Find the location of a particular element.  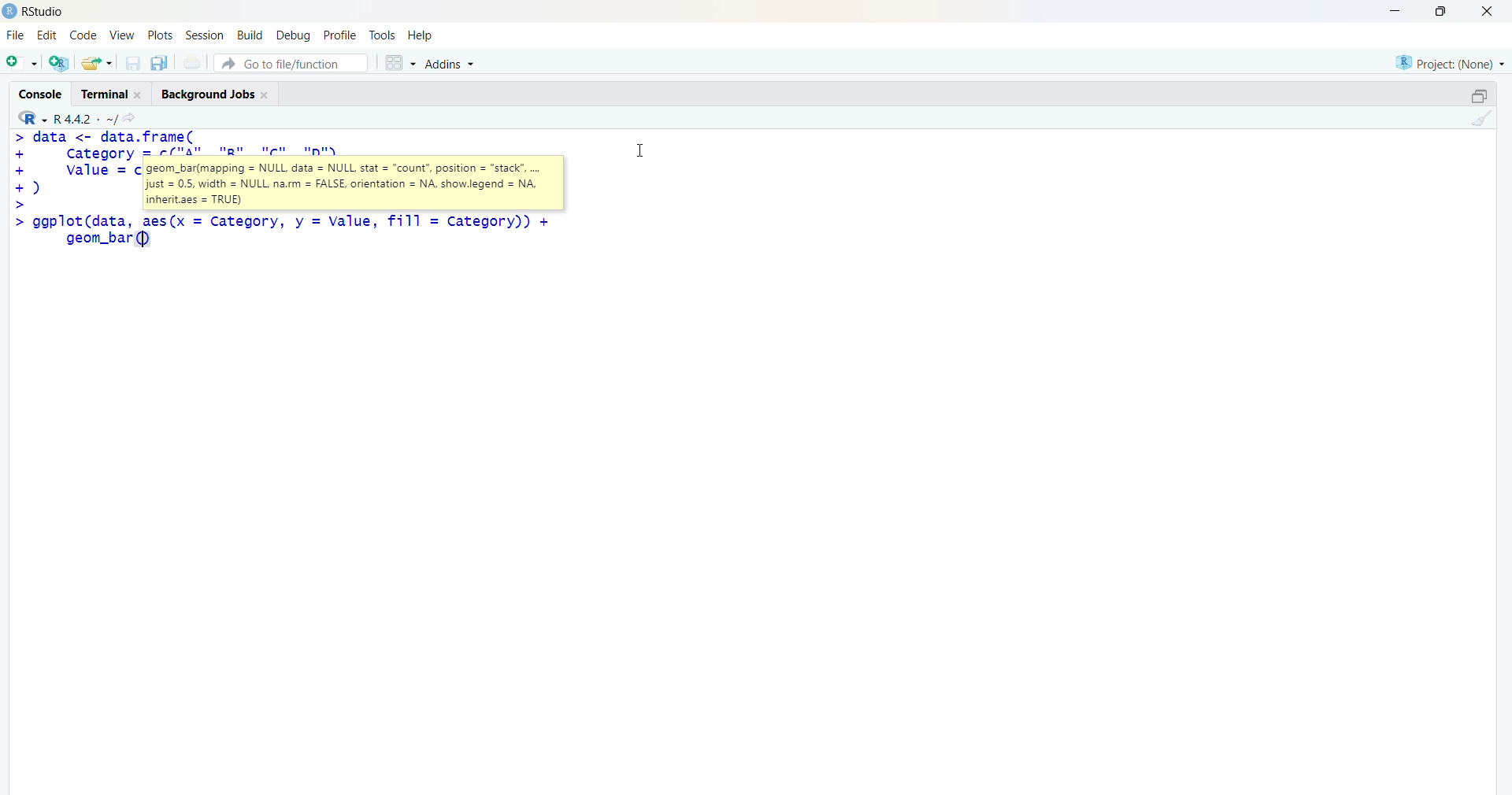

Session is located at coordinates (205, 35).